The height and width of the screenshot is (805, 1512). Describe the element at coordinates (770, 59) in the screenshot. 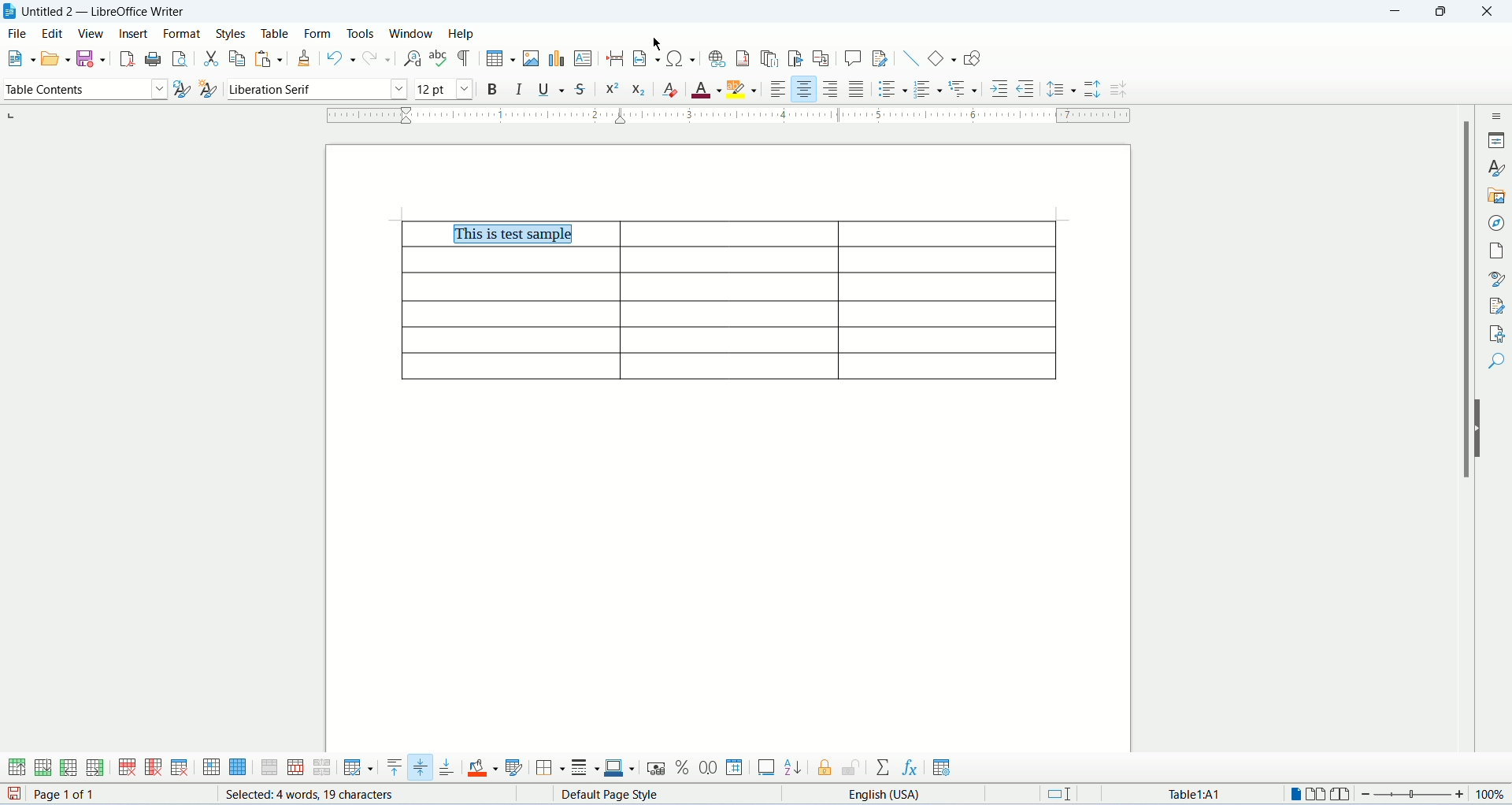

I see `insert endnote` at that location.